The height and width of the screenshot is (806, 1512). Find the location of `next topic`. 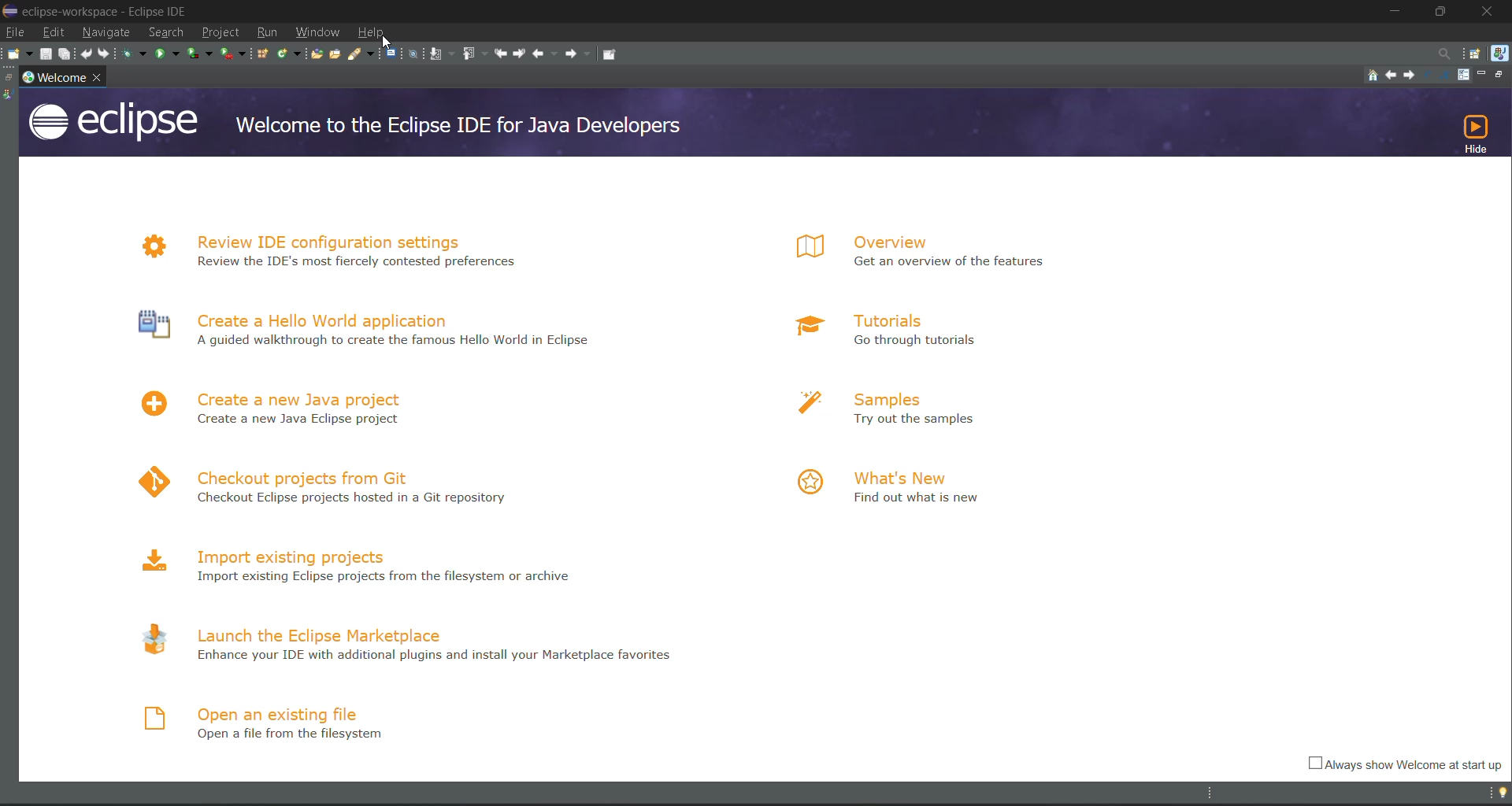

next topic is located at coordinates (1409, 74).